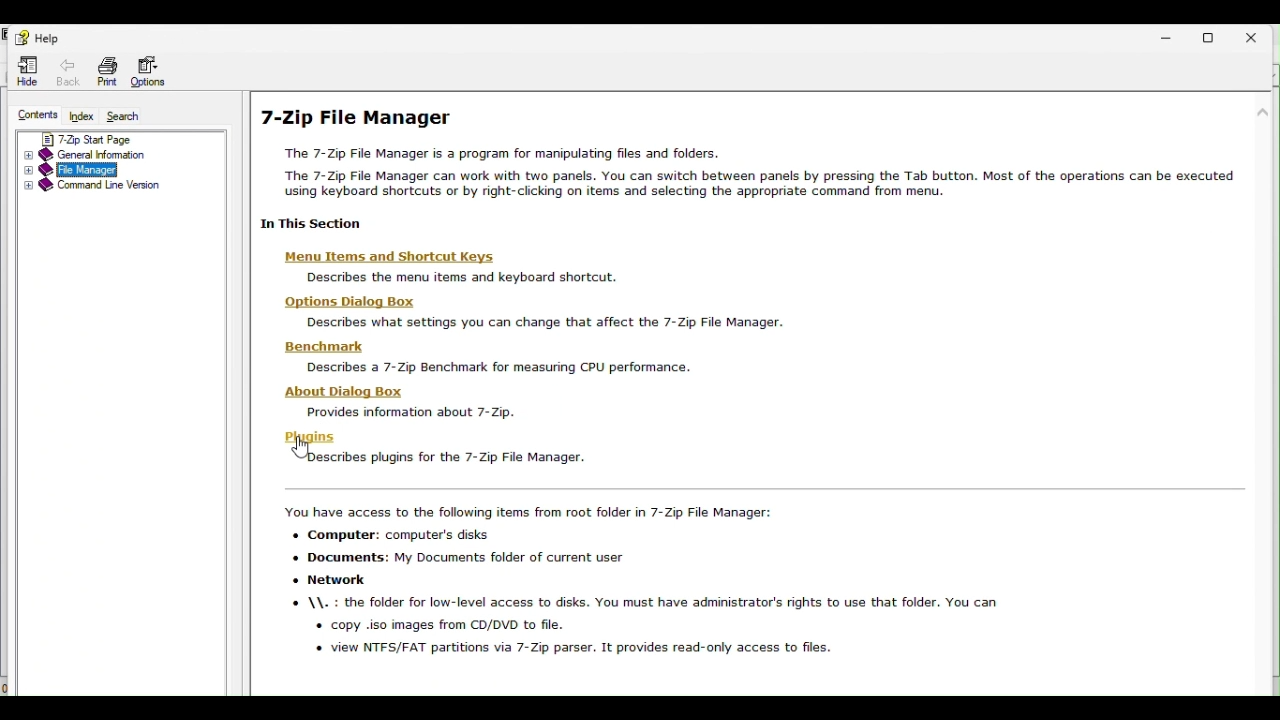  Describe the element at coordinates (154, 67) in the screenshot. I see `Options` at that location.